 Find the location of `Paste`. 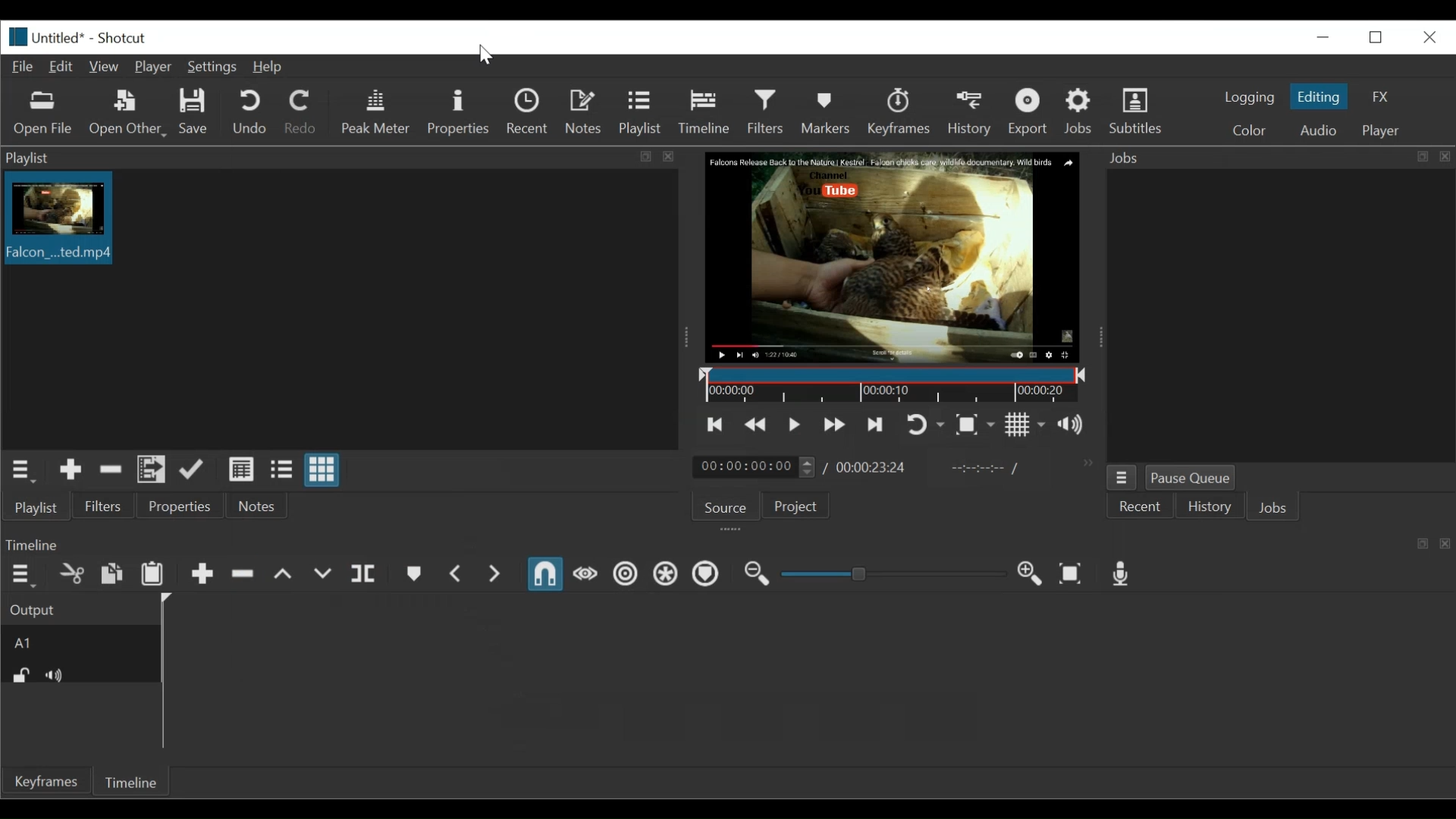

Paste is located at coordinates (154, 574).